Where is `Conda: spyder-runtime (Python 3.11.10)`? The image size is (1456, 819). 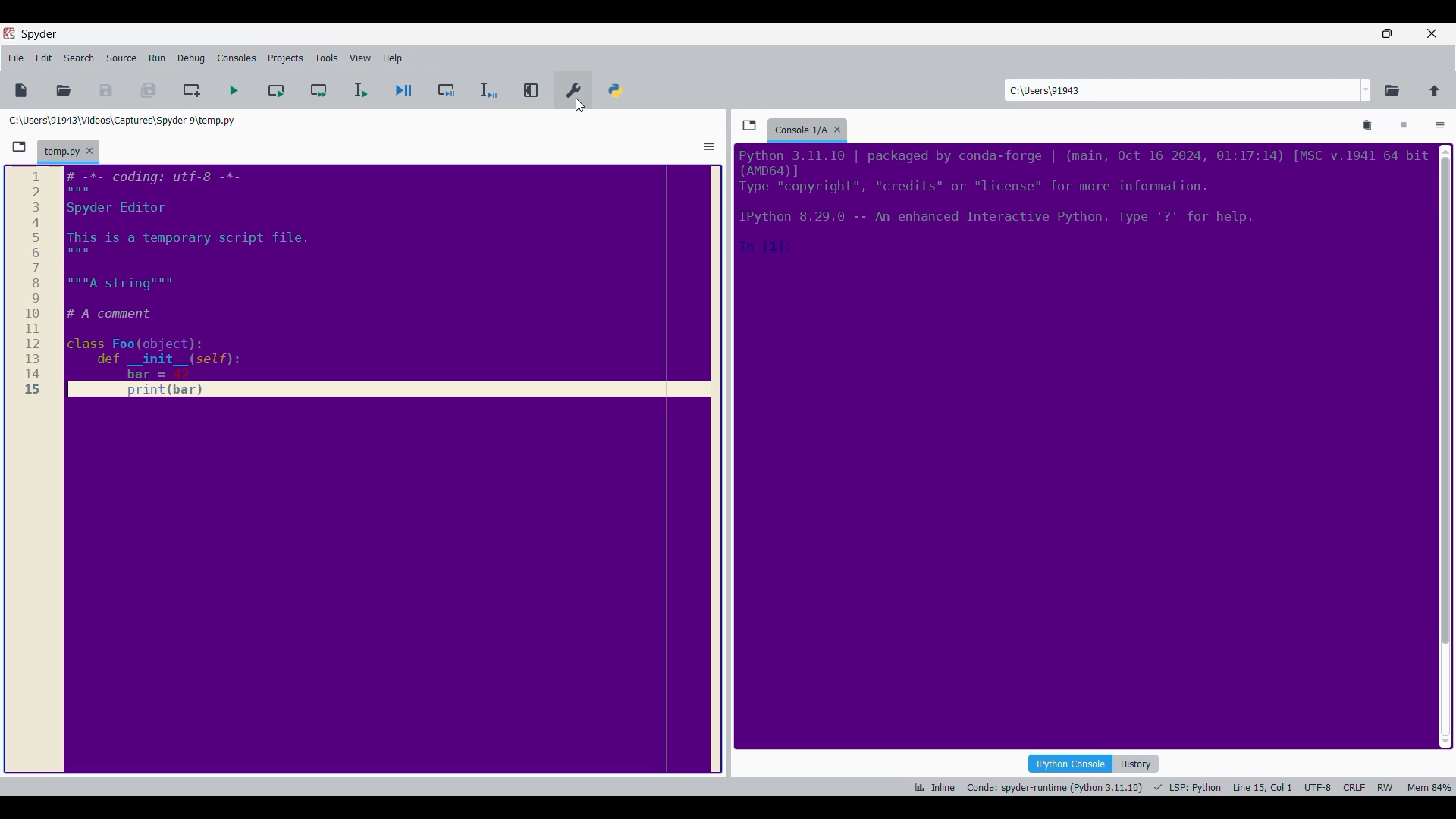
Conda: spyder-runtime (Python 3.11.10) is located at coordinates (1058, 786).